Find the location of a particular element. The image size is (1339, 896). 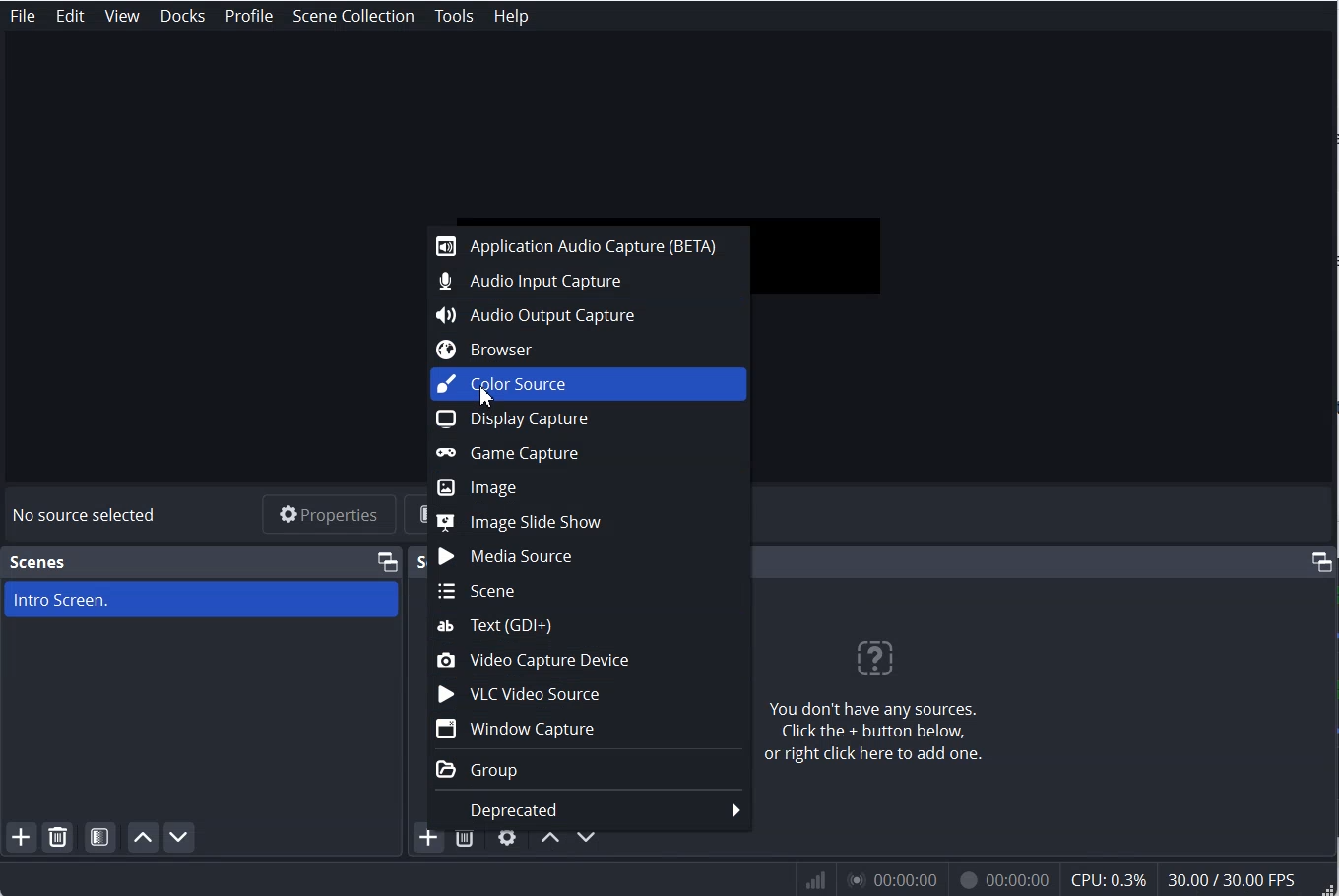

Text GDI is located at coordinates (591, 624).